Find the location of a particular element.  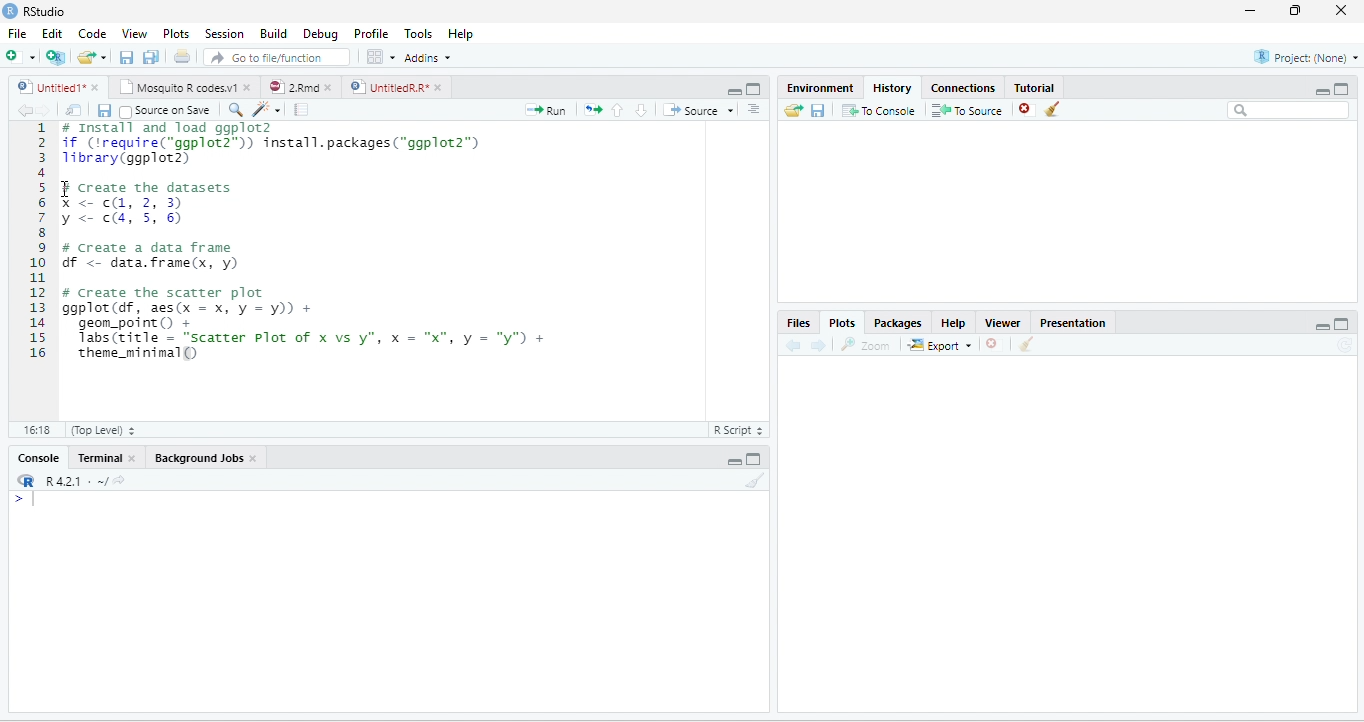

Untitled1* is located at coordinates (48, 87).